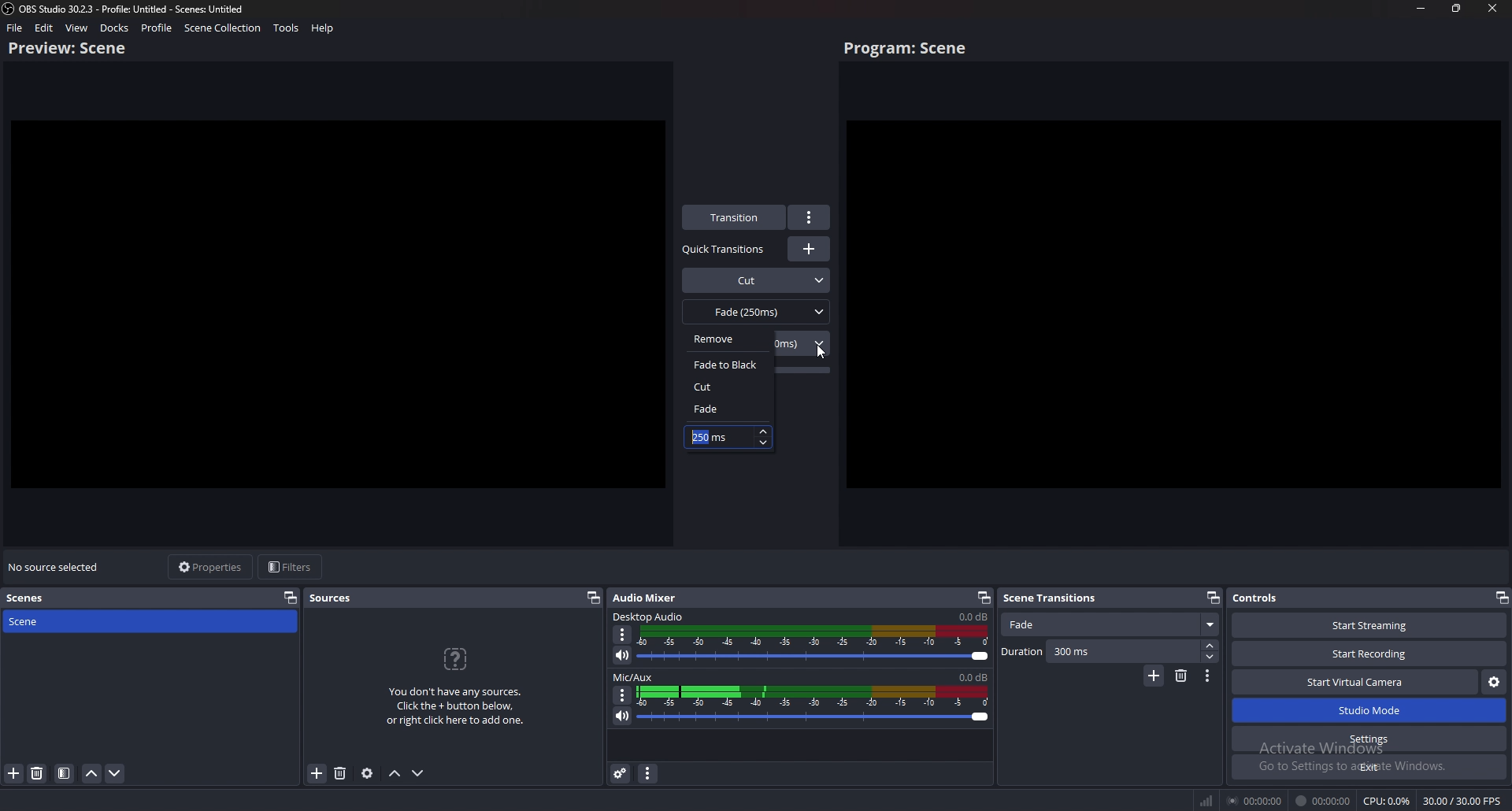  Describe the element at coordinates (725, 250) in the screenshot. I see `Quick transitions` at that location.